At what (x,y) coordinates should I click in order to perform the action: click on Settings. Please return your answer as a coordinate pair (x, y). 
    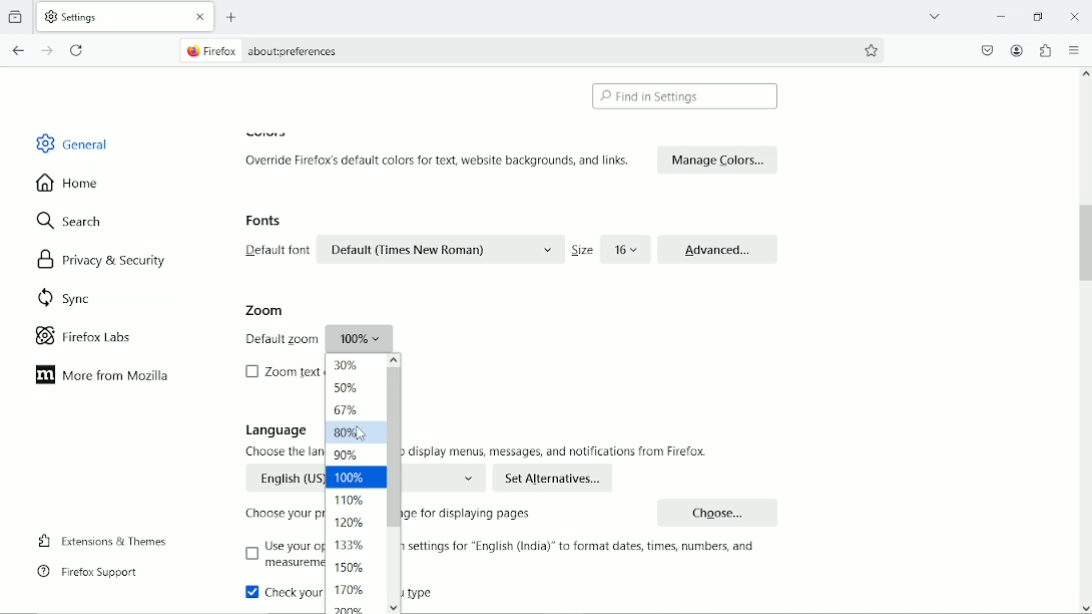
    Looking at the image, I should click on (76, 17).